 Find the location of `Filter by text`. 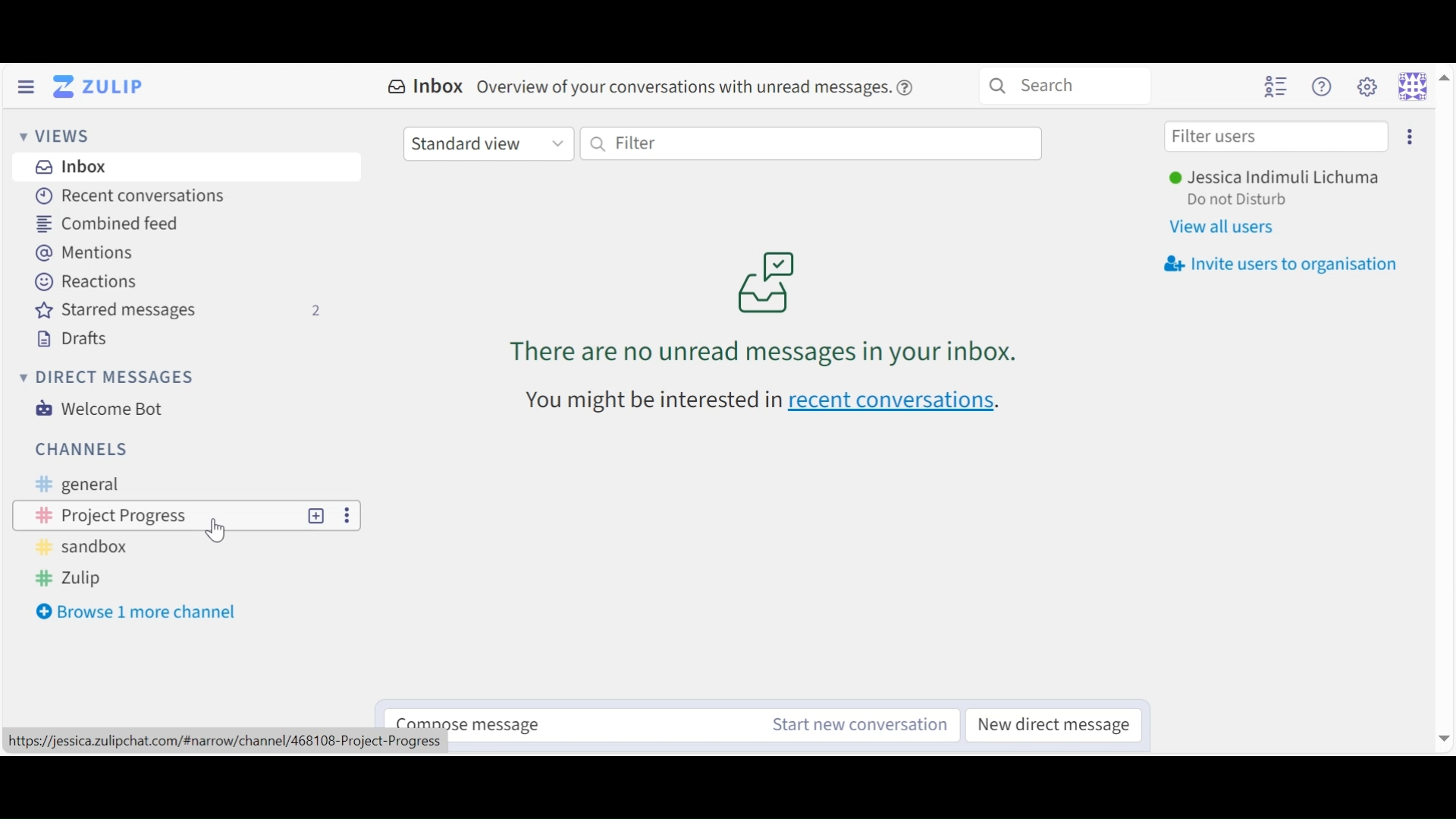

Filter by text is located at coordinates (811, 145).